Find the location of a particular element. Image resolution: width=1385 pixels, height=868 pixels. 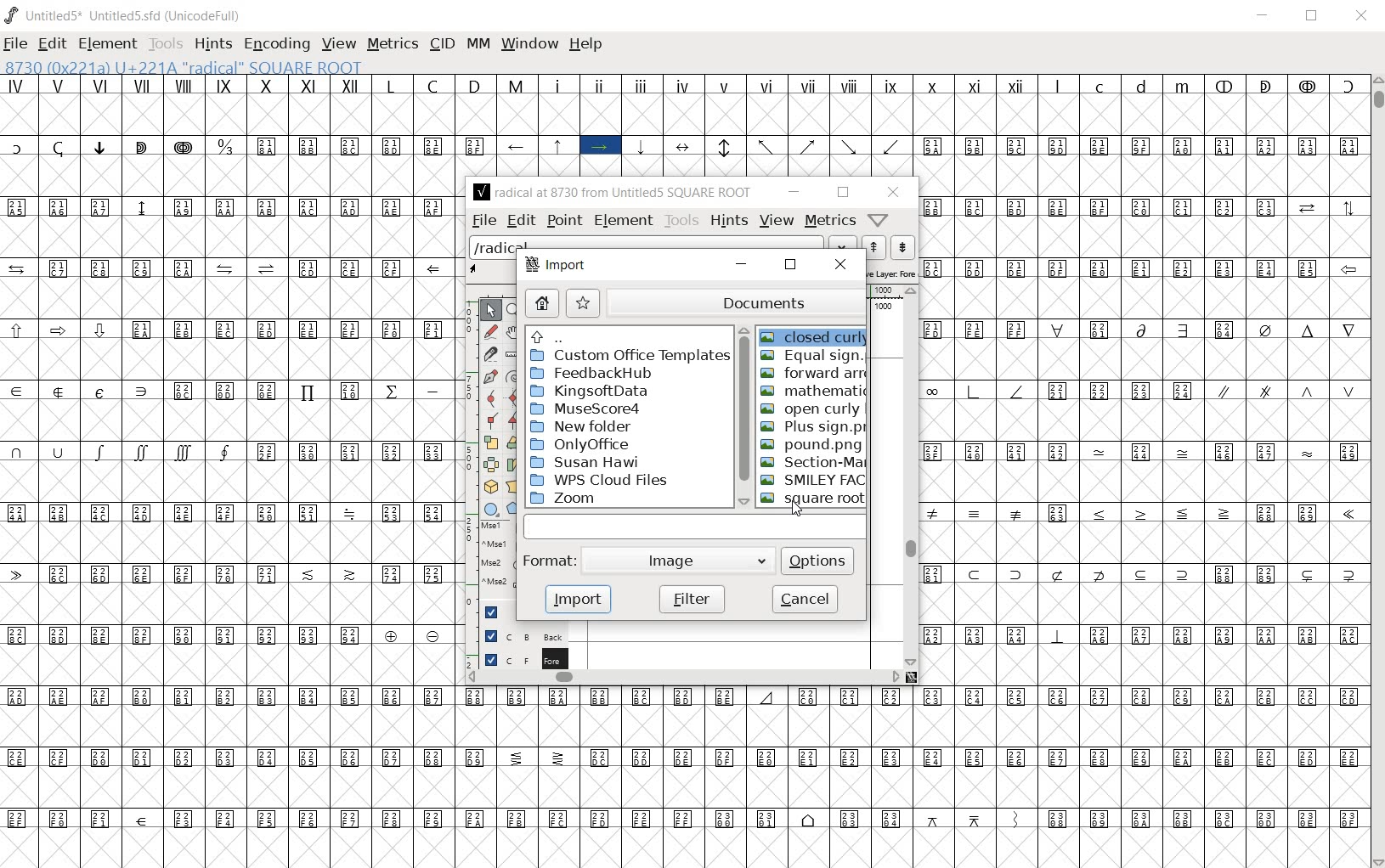

Add a corner point is located at coordinates (491, 419).